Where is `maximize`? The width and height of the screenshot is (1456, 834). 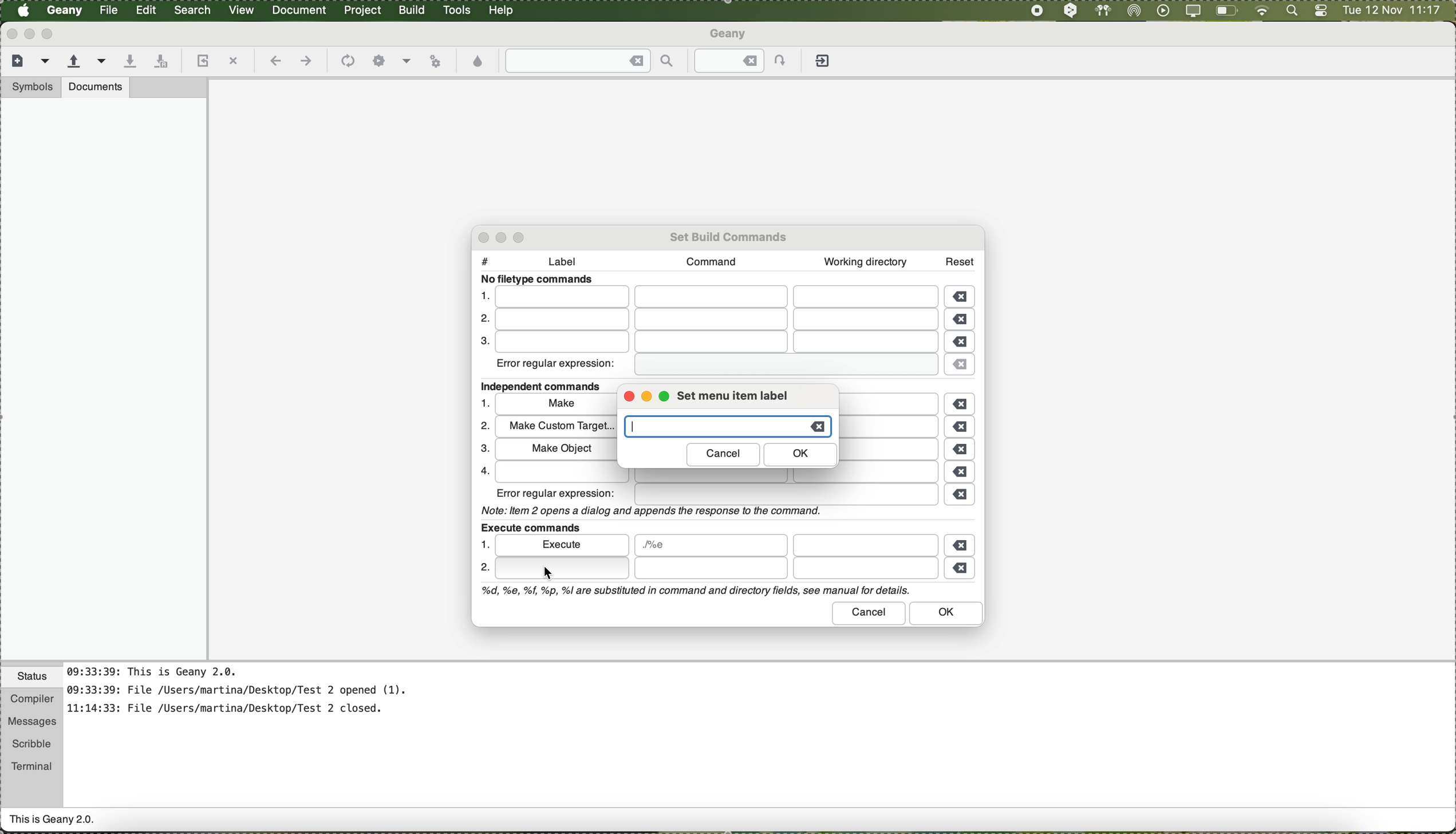
maximize is located at coordinates (522, 236).